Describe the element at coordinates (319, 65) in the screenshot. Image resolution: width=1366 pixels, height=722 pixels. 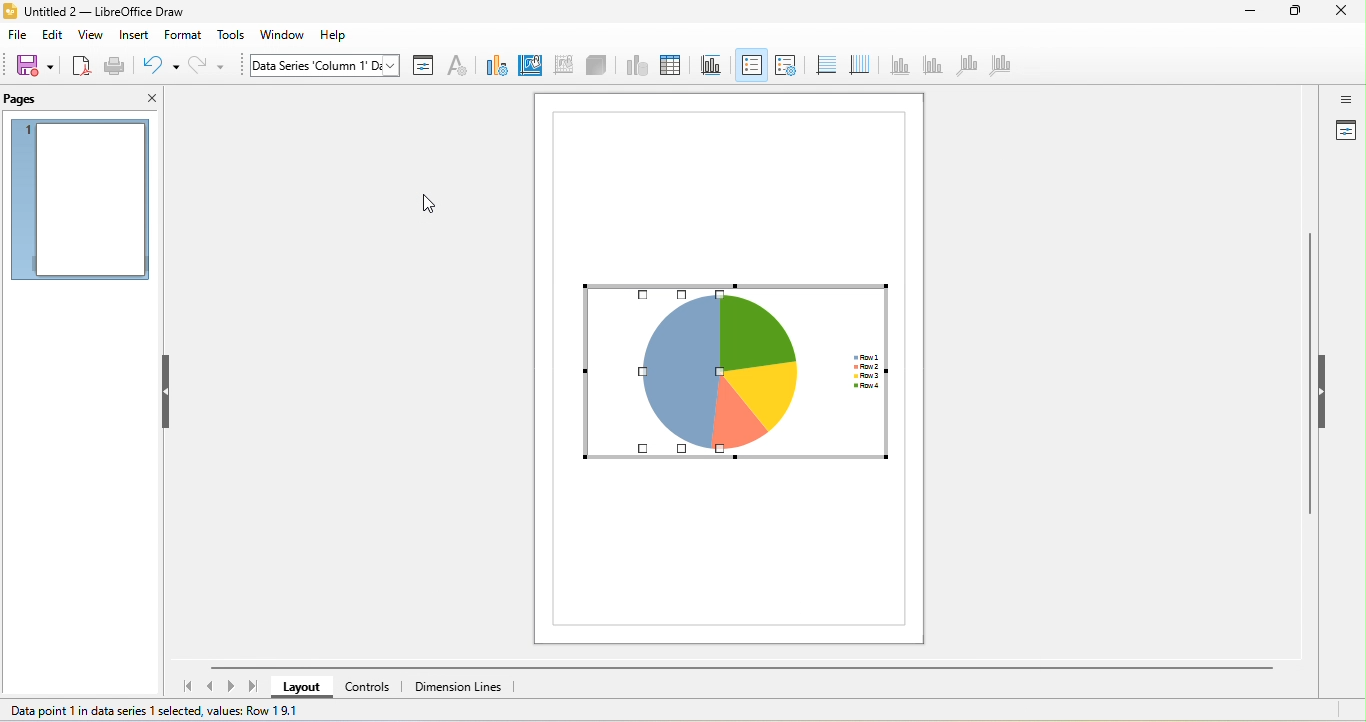
I see `chart area` at that location.